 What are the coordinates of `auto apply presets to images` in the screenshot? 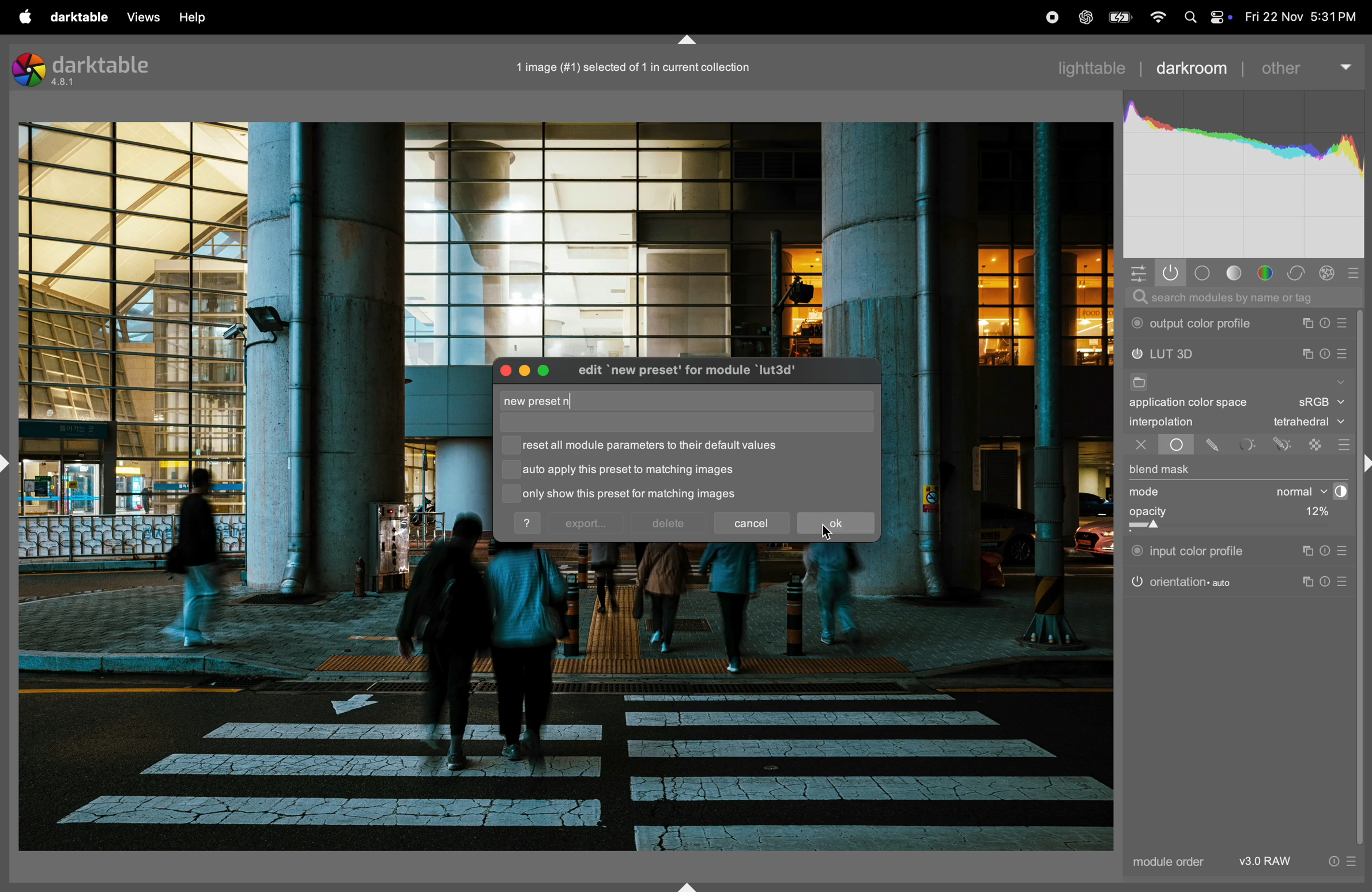 It's located at (629, 470).